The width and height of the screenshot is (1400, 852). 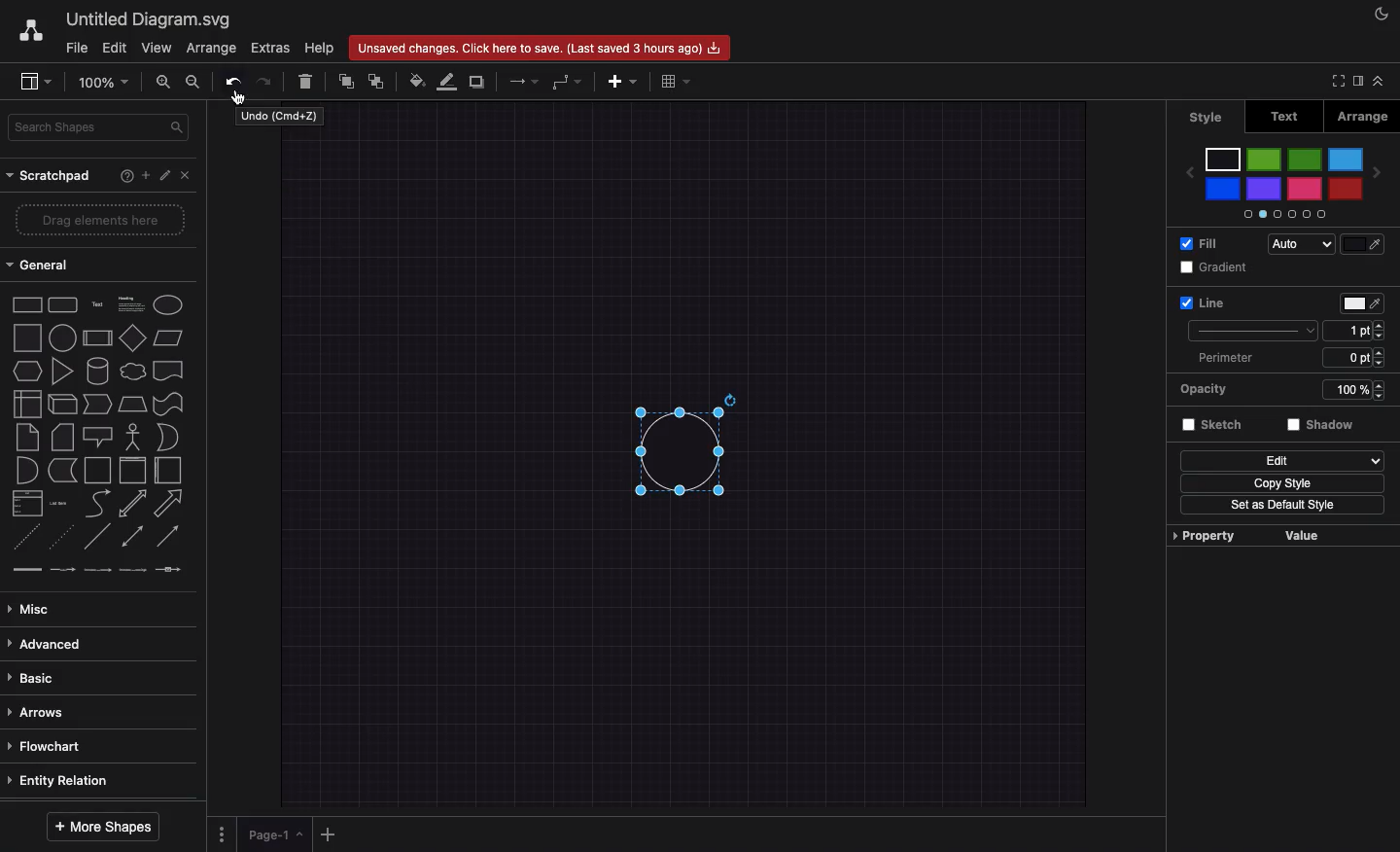 What do you see at coordinates (99, 219) in the screenshot?
I see `Drag elements here` at bounding box center [99, 219].